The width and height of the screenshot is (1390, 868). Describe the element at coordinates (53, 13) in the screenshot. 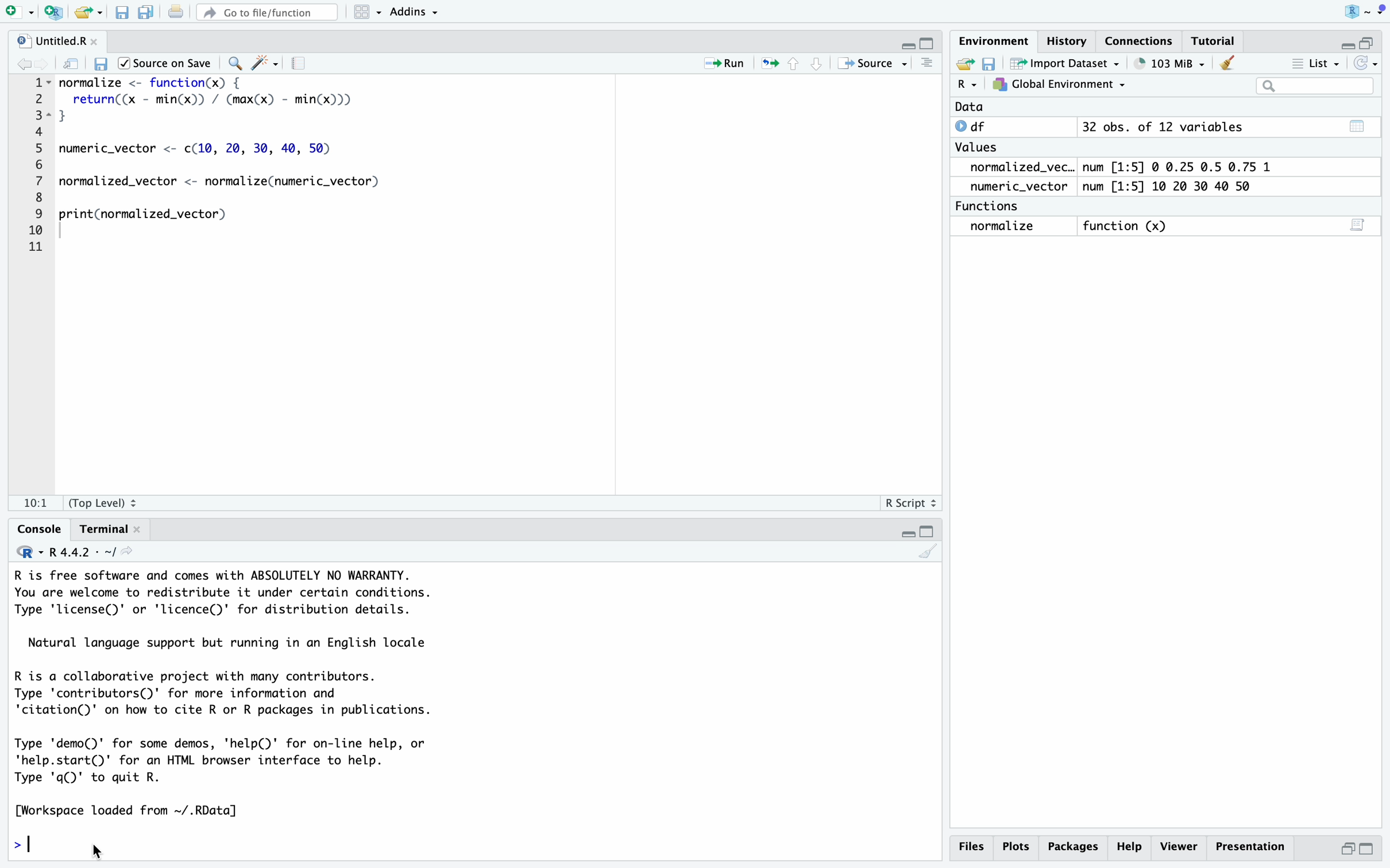

I see `Create a project` at that location.